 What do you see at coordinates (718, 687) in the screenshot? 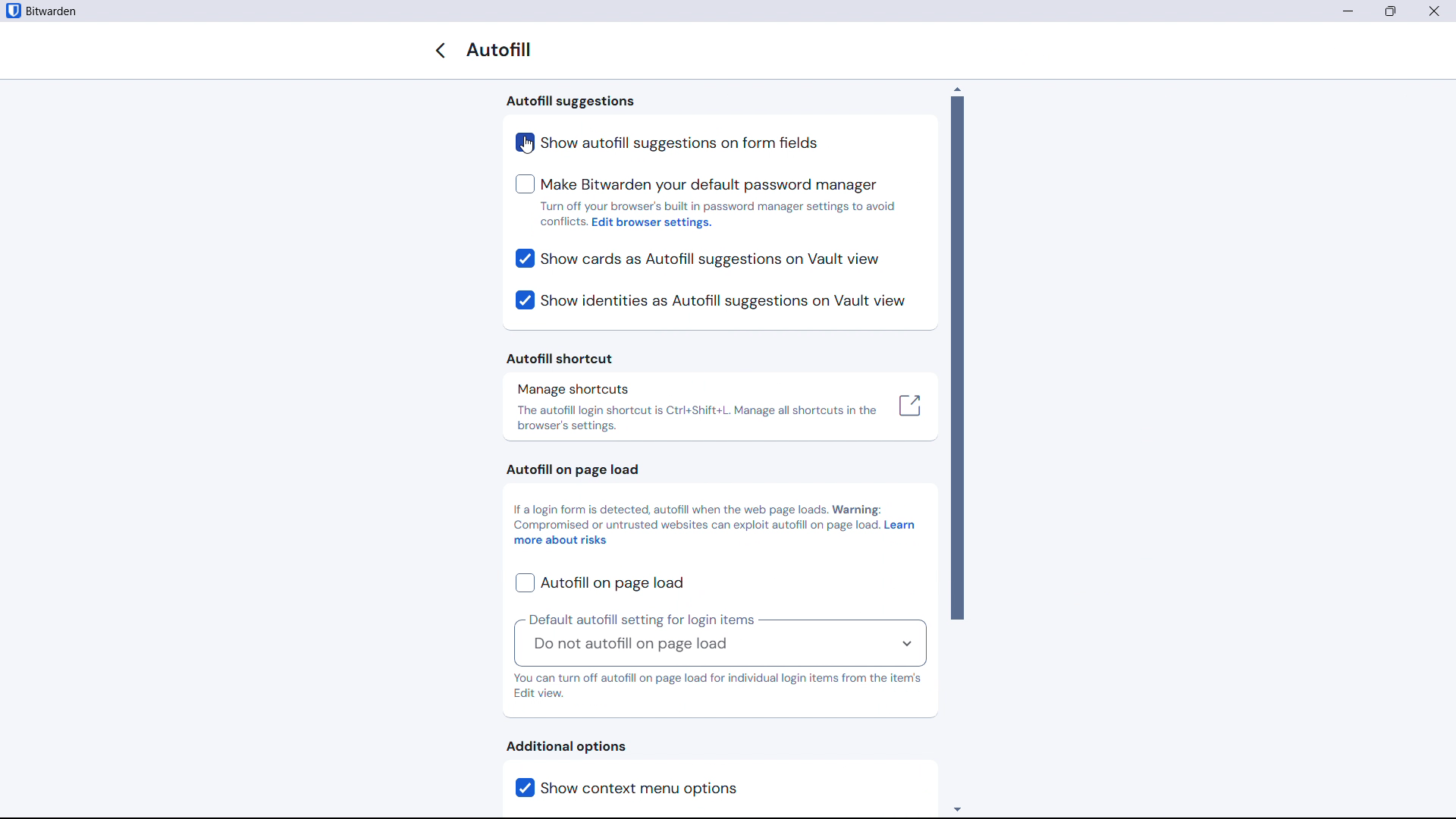
I see `You can turn off auto fill on page load for individual login items from the items edit view` at bounding box center [718, 687].